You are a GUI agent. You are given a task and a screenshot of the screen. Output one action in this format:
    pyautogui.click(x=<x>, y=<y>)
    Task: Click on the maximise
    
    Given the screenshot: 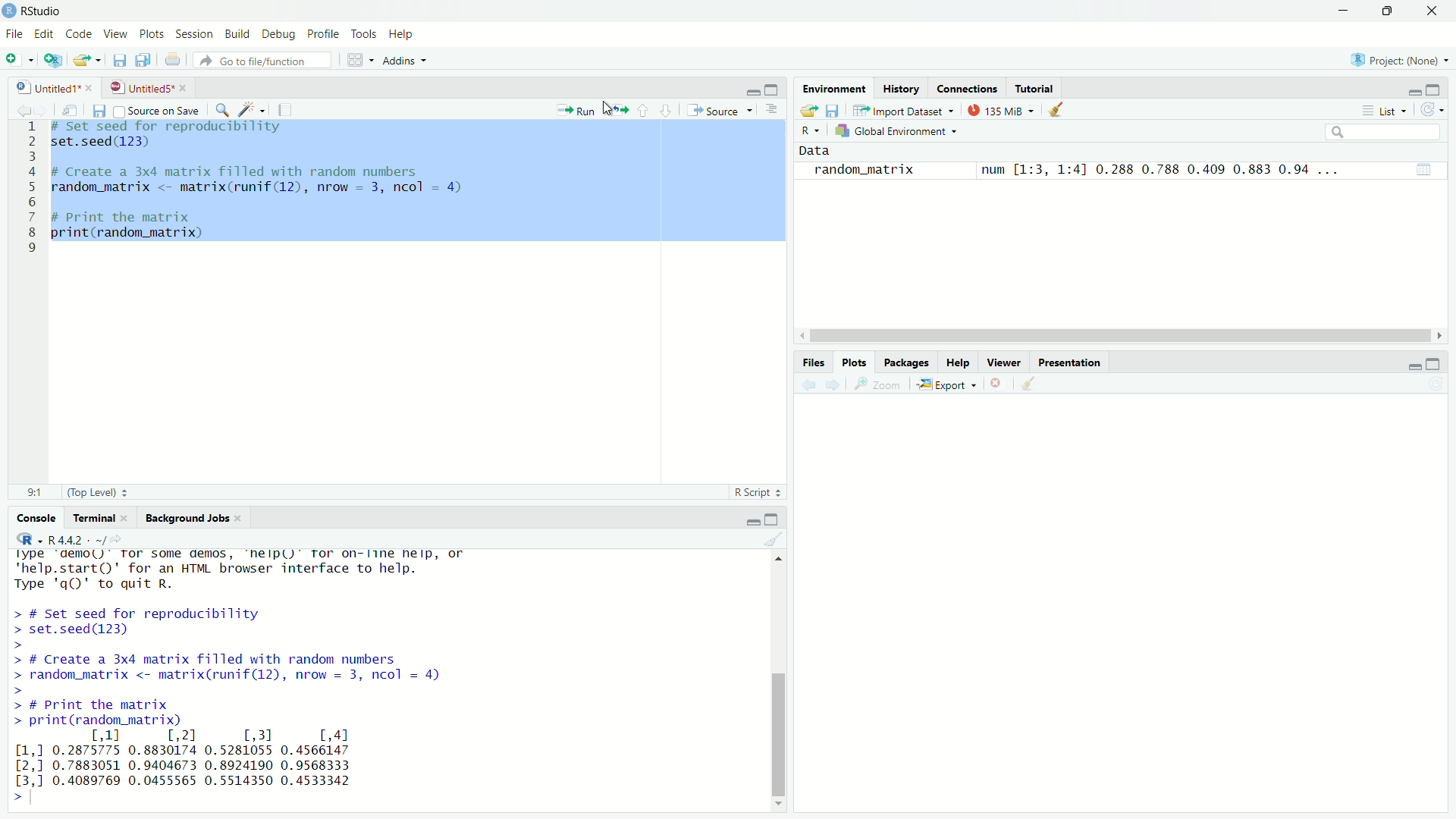 What is the action you would take?
    pyautogui.click(x=773, y=520)
    